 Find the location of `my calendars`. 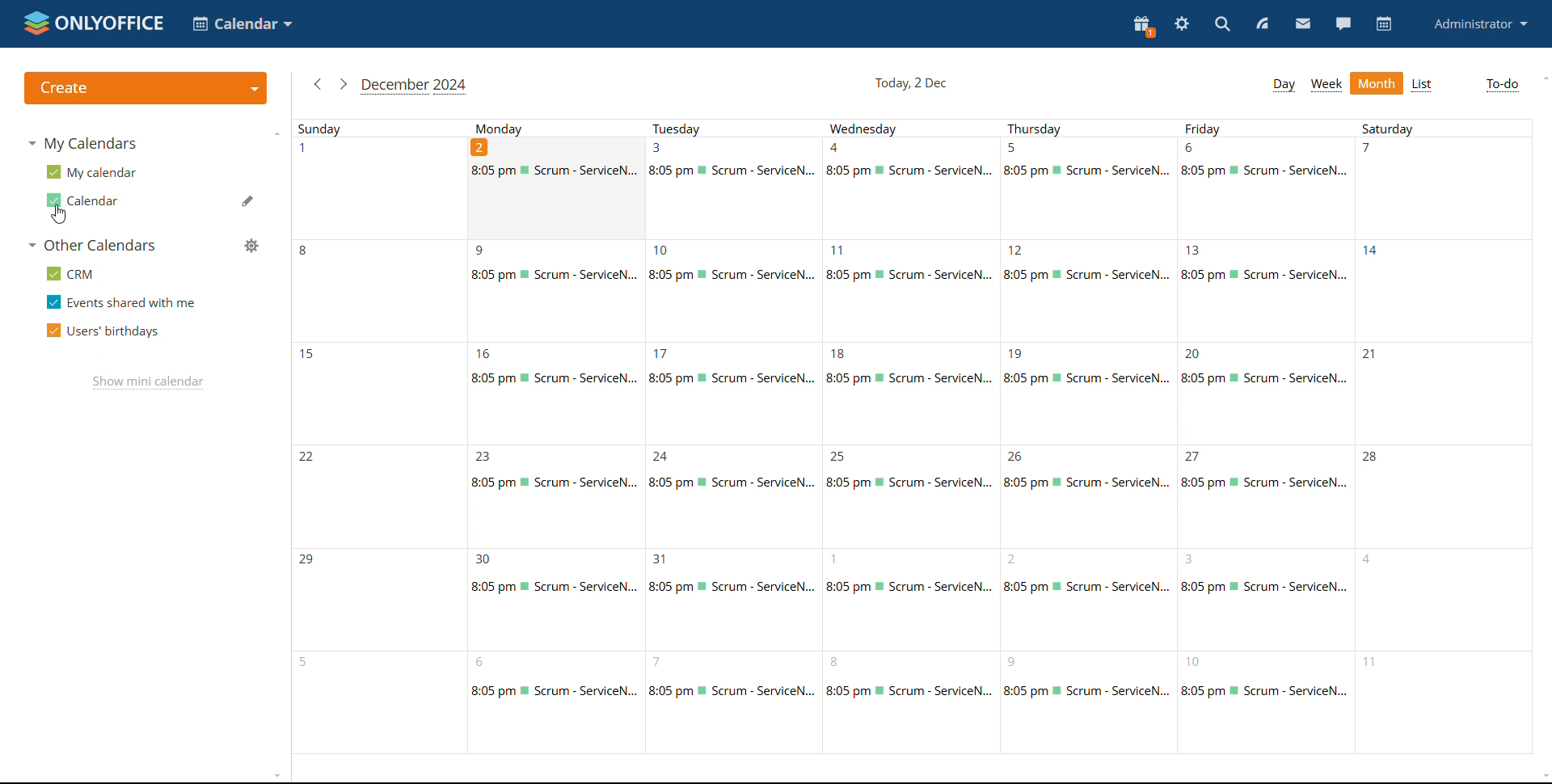

my calendars is located at coordinates (82, 142).